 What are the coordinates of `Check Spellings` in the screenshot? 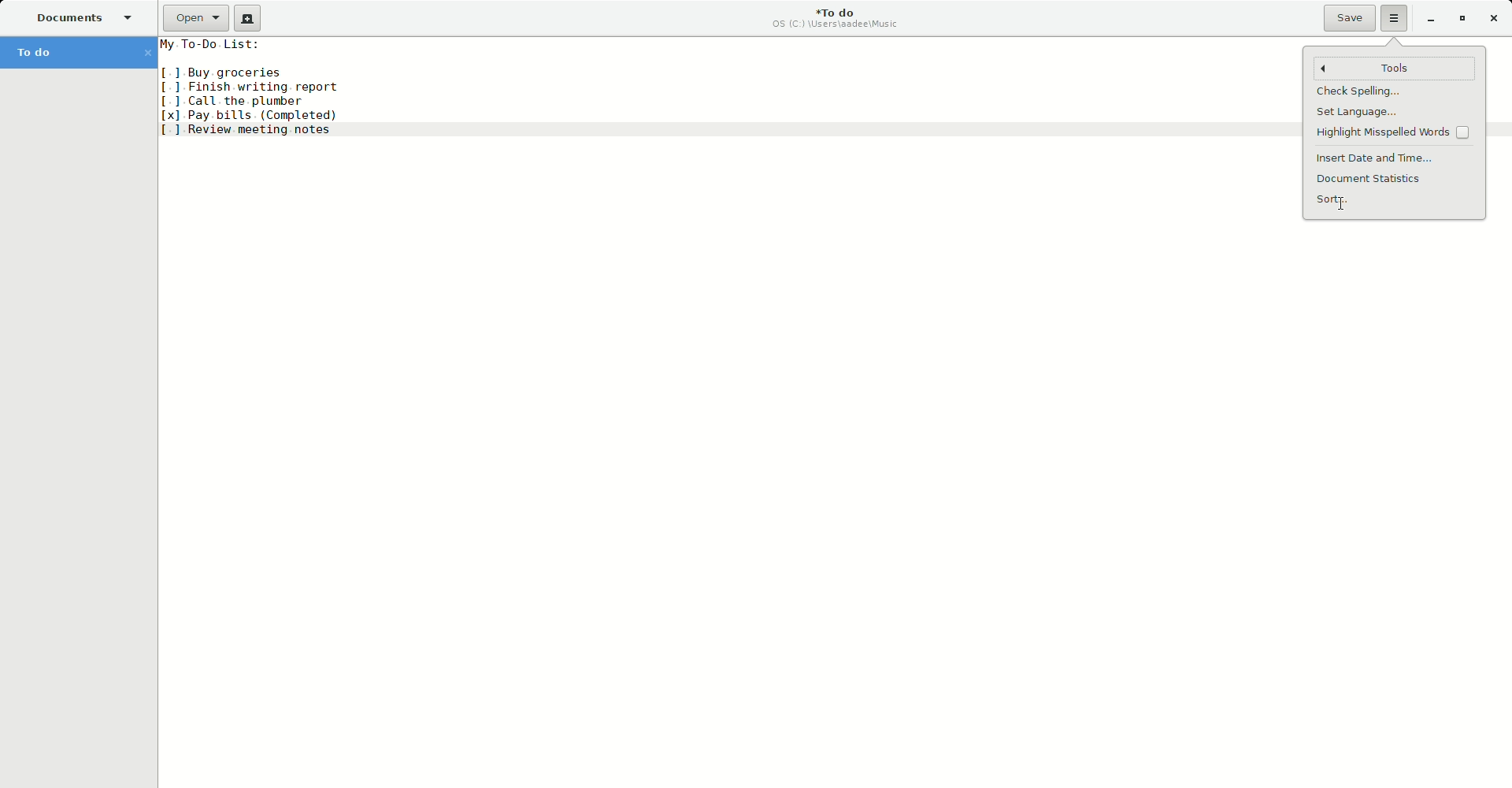 It's located at (1375, 91).